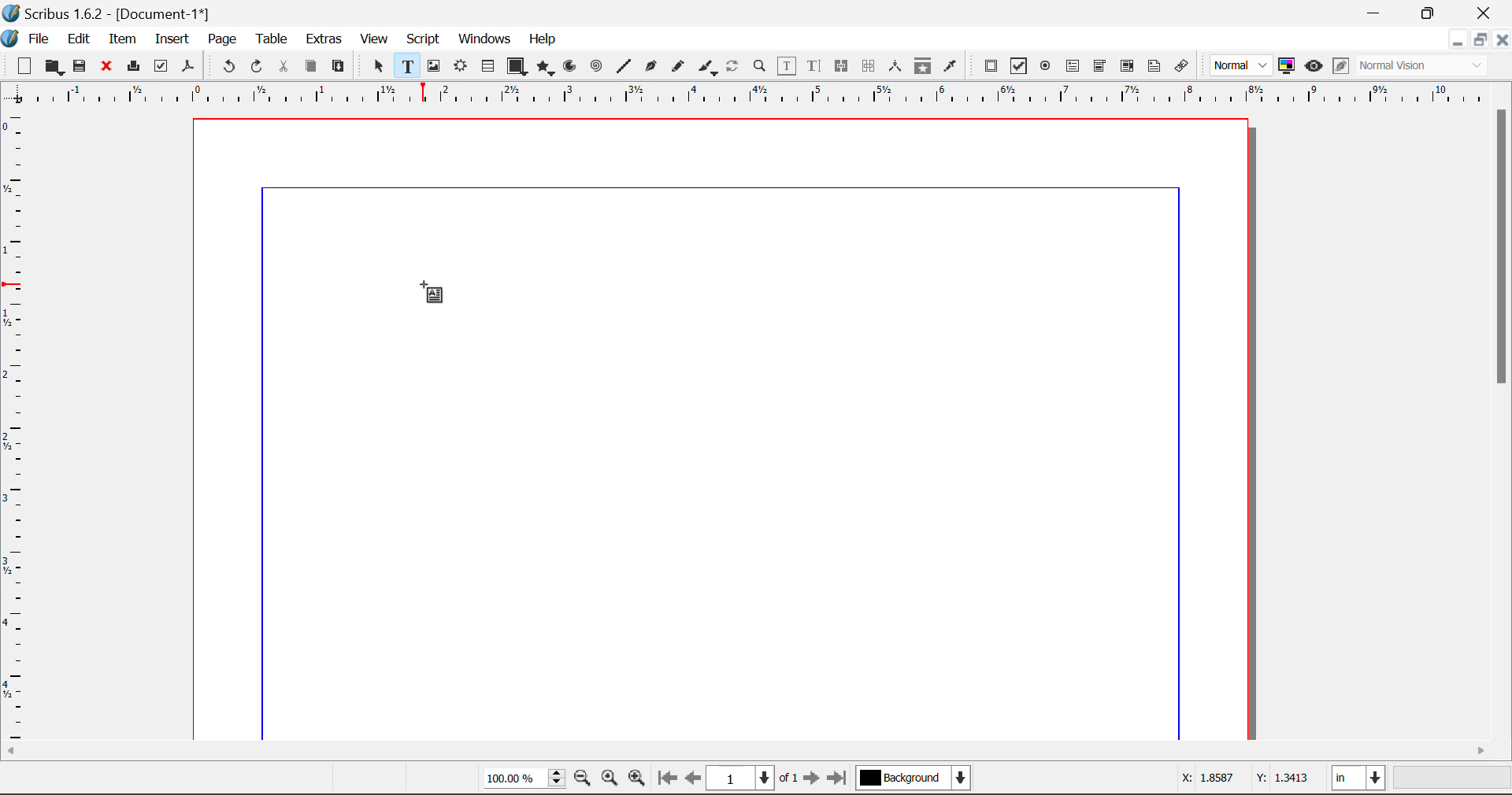 The height and width of the screenshot is (795, 1512). Describe the element at coordinates (1457, 39) in the screenshot. I see `Restore Down` at that location.